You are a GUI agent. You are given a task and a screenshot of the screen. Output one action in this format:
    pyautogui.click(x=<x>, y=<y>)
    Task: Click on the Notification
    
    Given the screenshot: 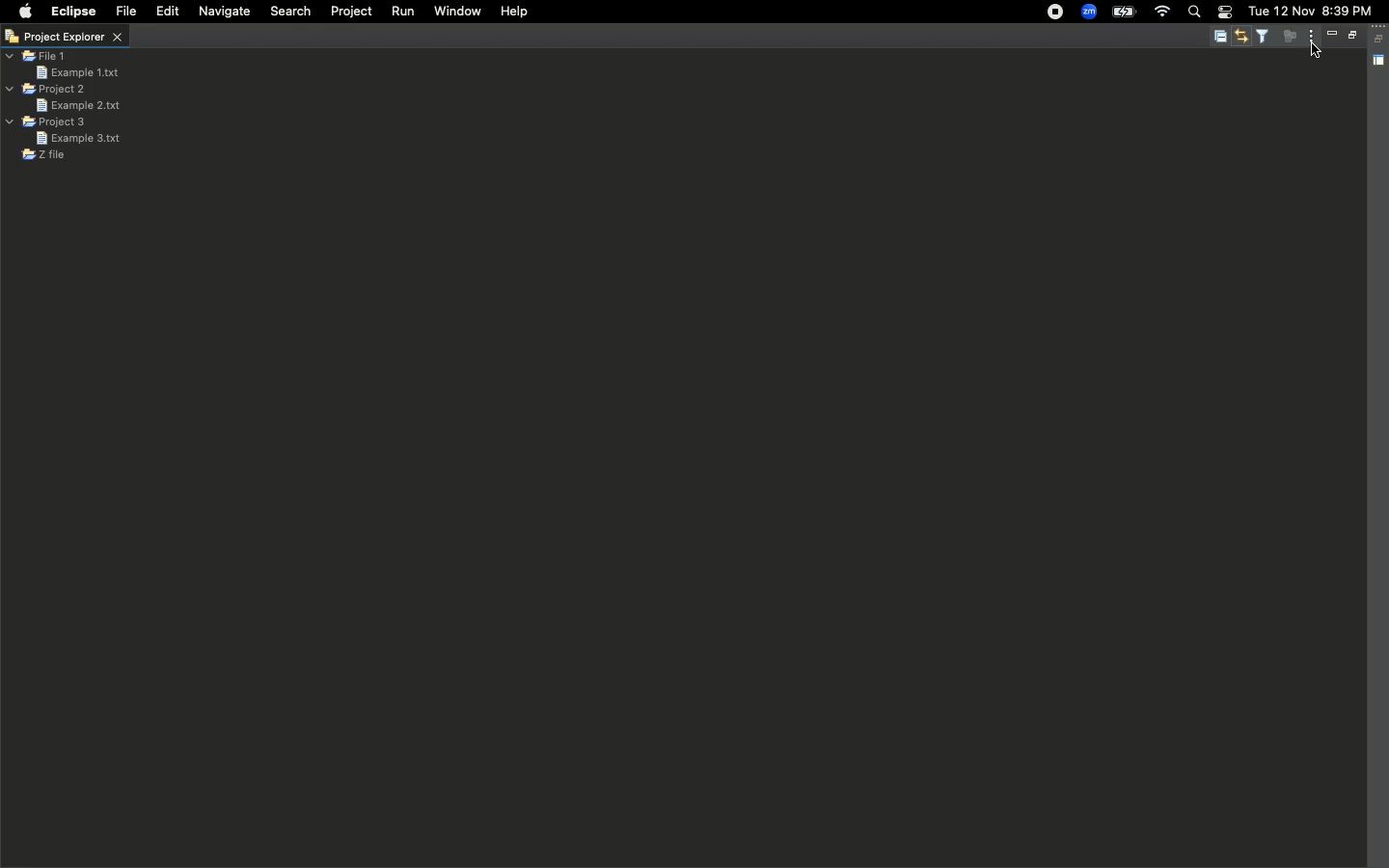 What is the action you would take?
    pyautogui.click(x=1225, y=13)
    